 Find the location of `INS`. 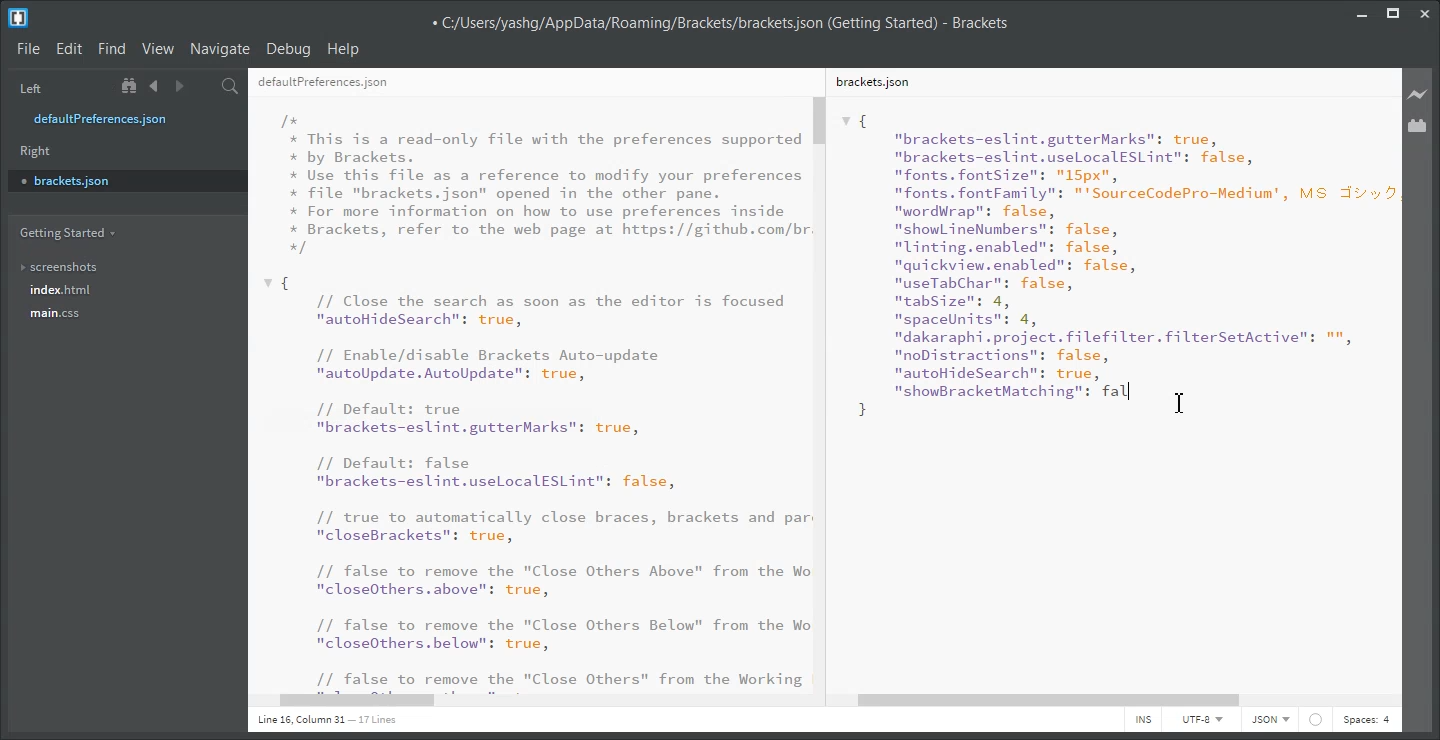

INS is located at coordinates (1143, 720).